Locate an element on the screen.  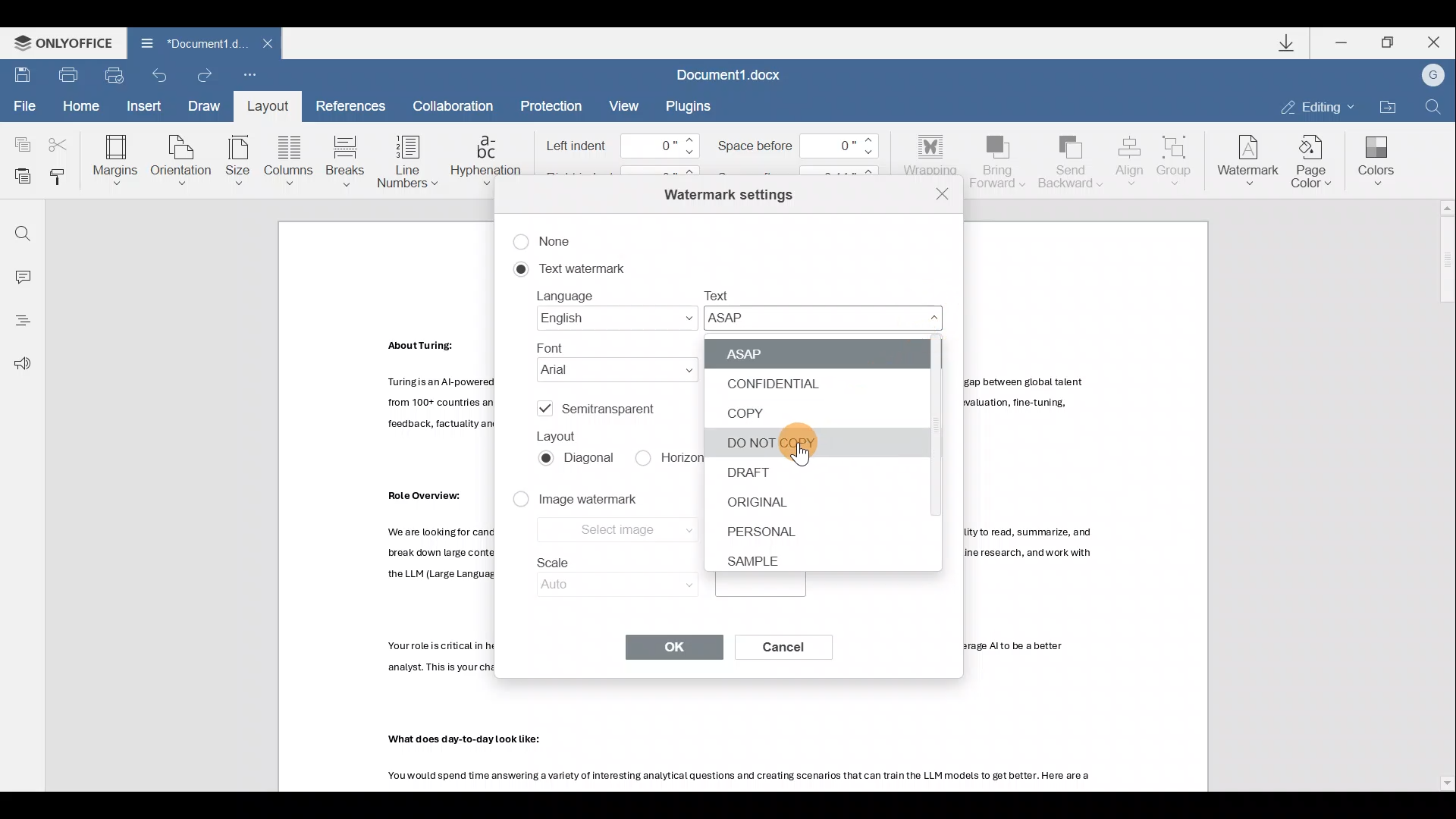
Protection is located at coordinates (554, 104).